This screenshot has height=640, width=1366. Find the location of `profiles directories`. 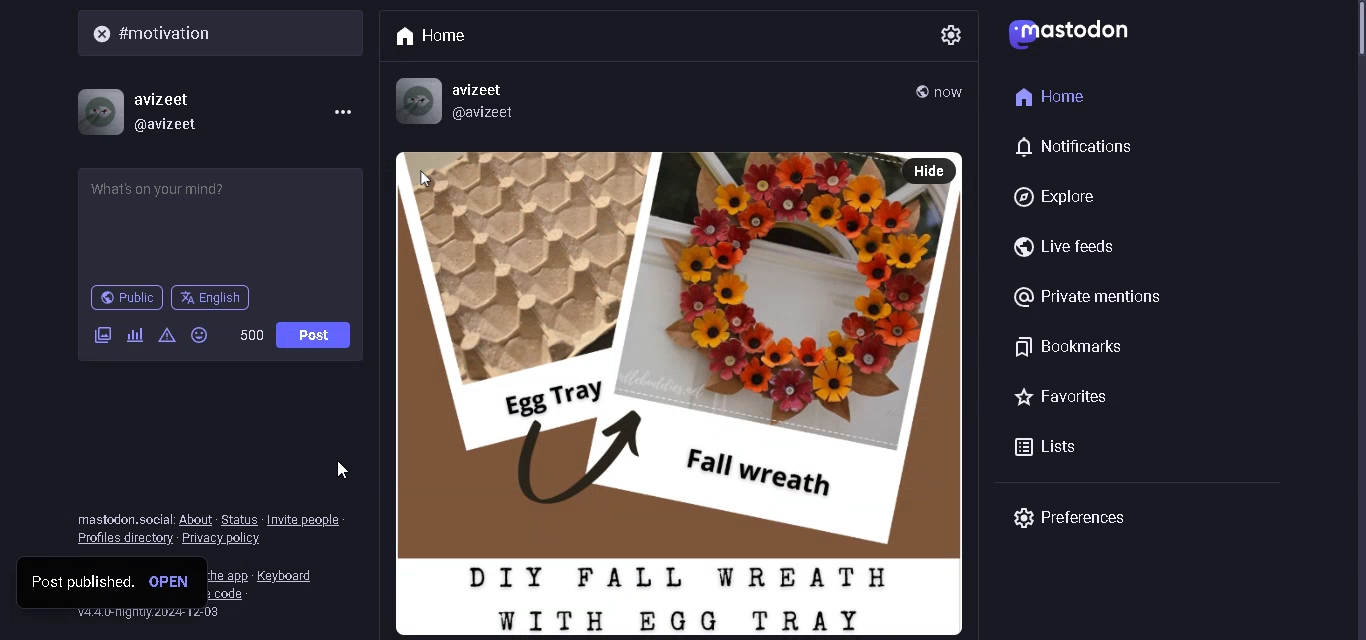

profiles directories is located at coordinates (125, 540).